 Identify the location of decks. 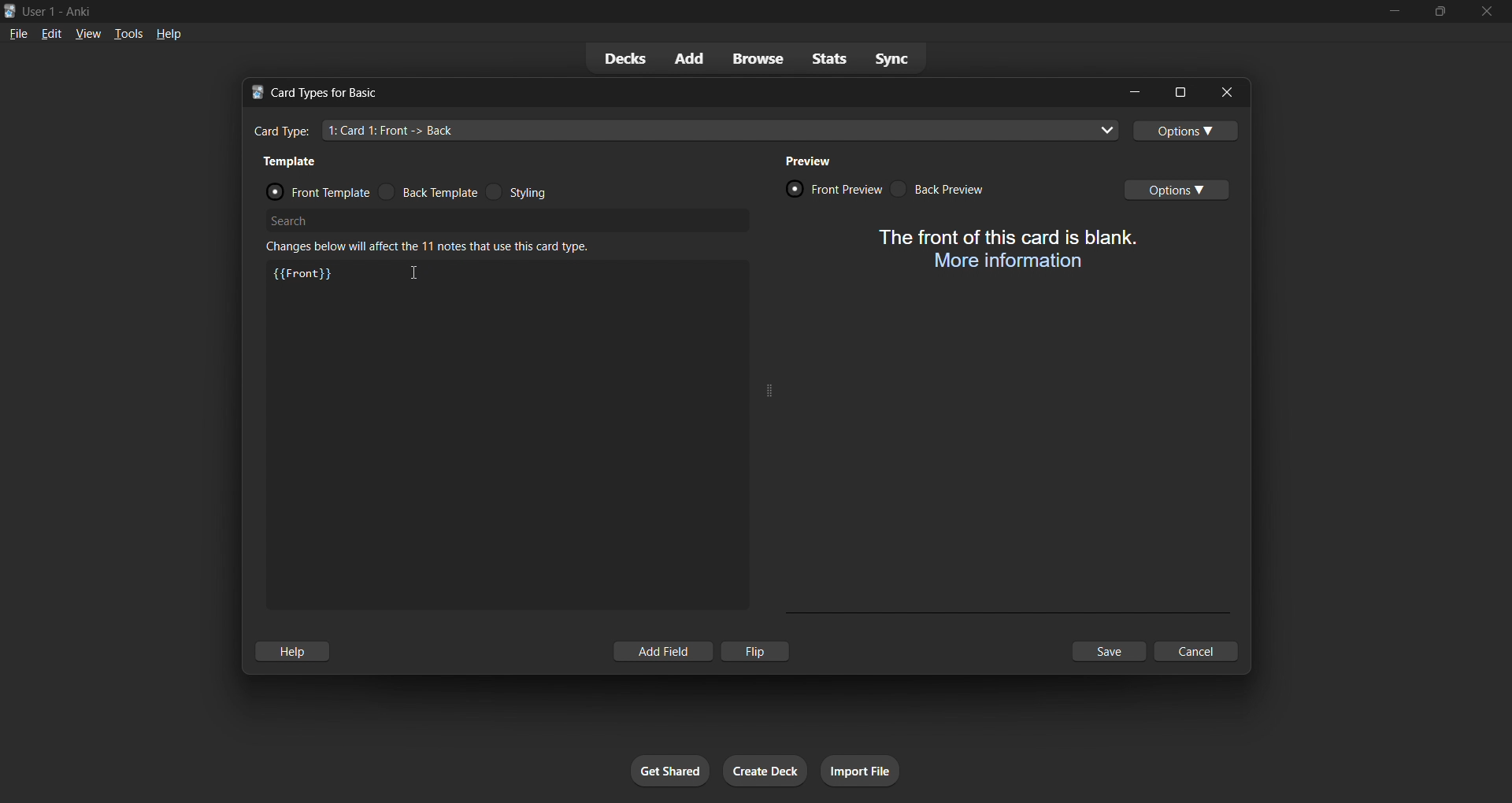
(625, 60).